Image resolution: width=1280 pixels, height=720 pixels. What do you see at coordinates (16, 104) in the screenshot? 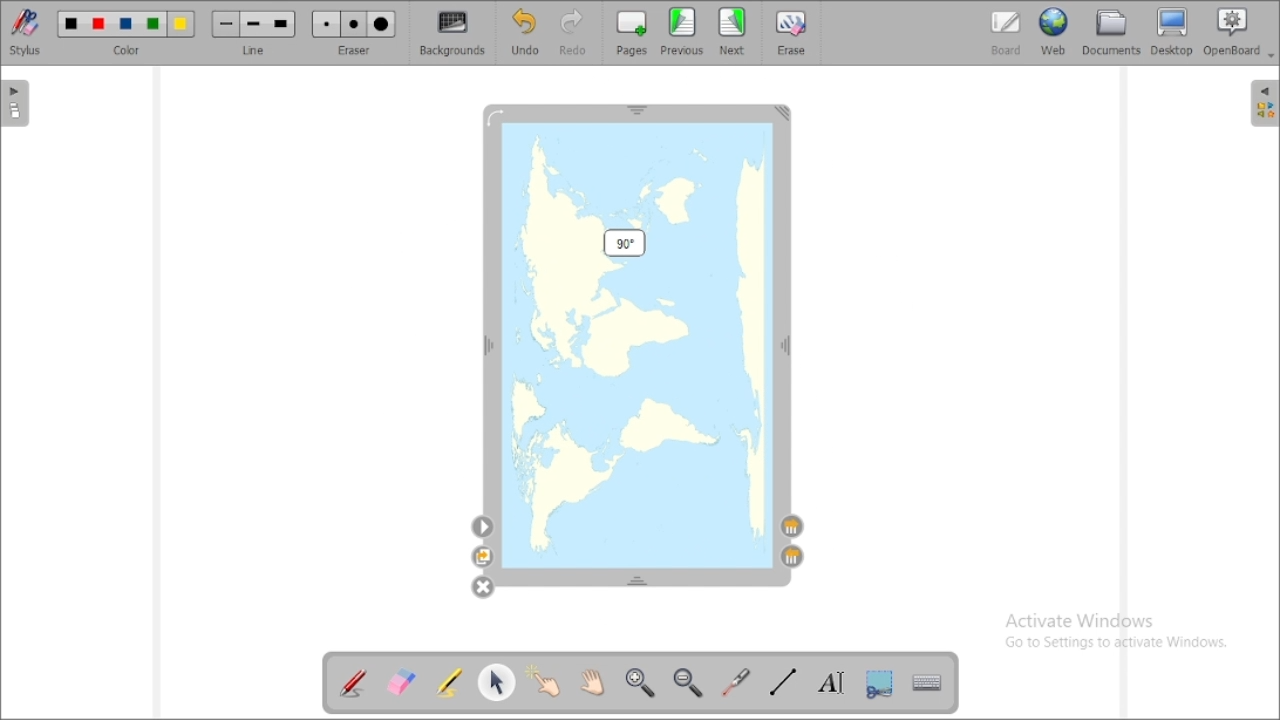
I see `pages pane` at bounding box center [16, 104].